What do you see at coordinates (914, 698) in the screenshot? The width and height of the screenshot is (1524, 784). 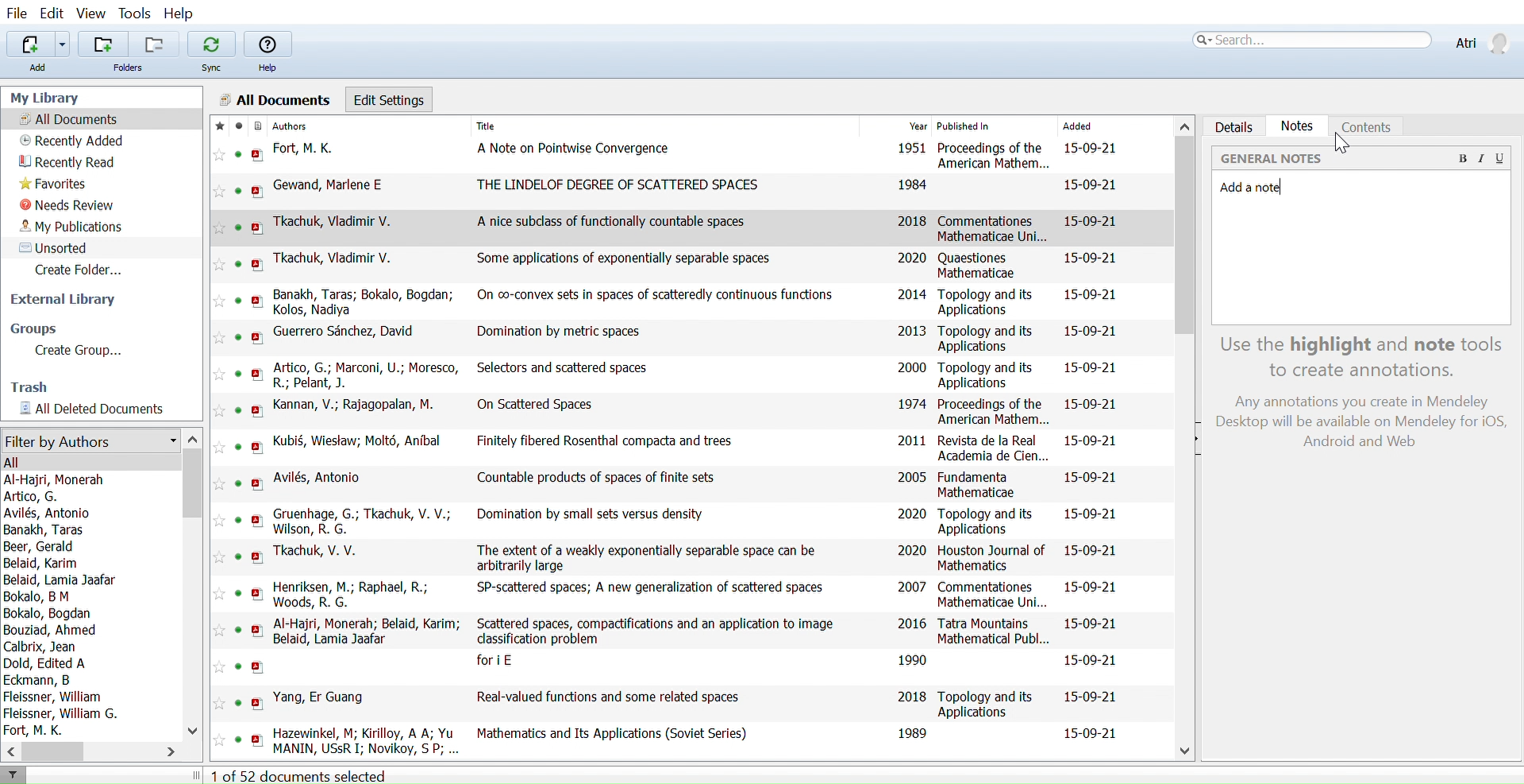 I see `2018` at bounding box center [914, 698].